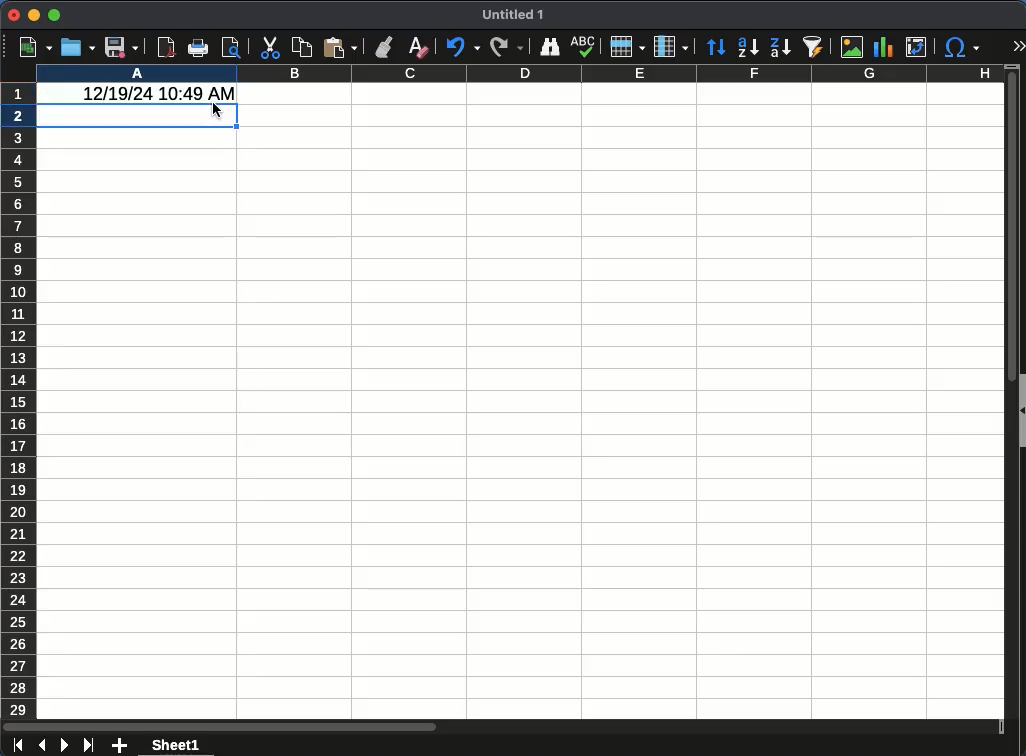 The width and height of the screenshot is (1026, 756). What do you see at coordinates (17, 746) in the screenshot?
I see `first sheet` at bounding box center [17, 746].